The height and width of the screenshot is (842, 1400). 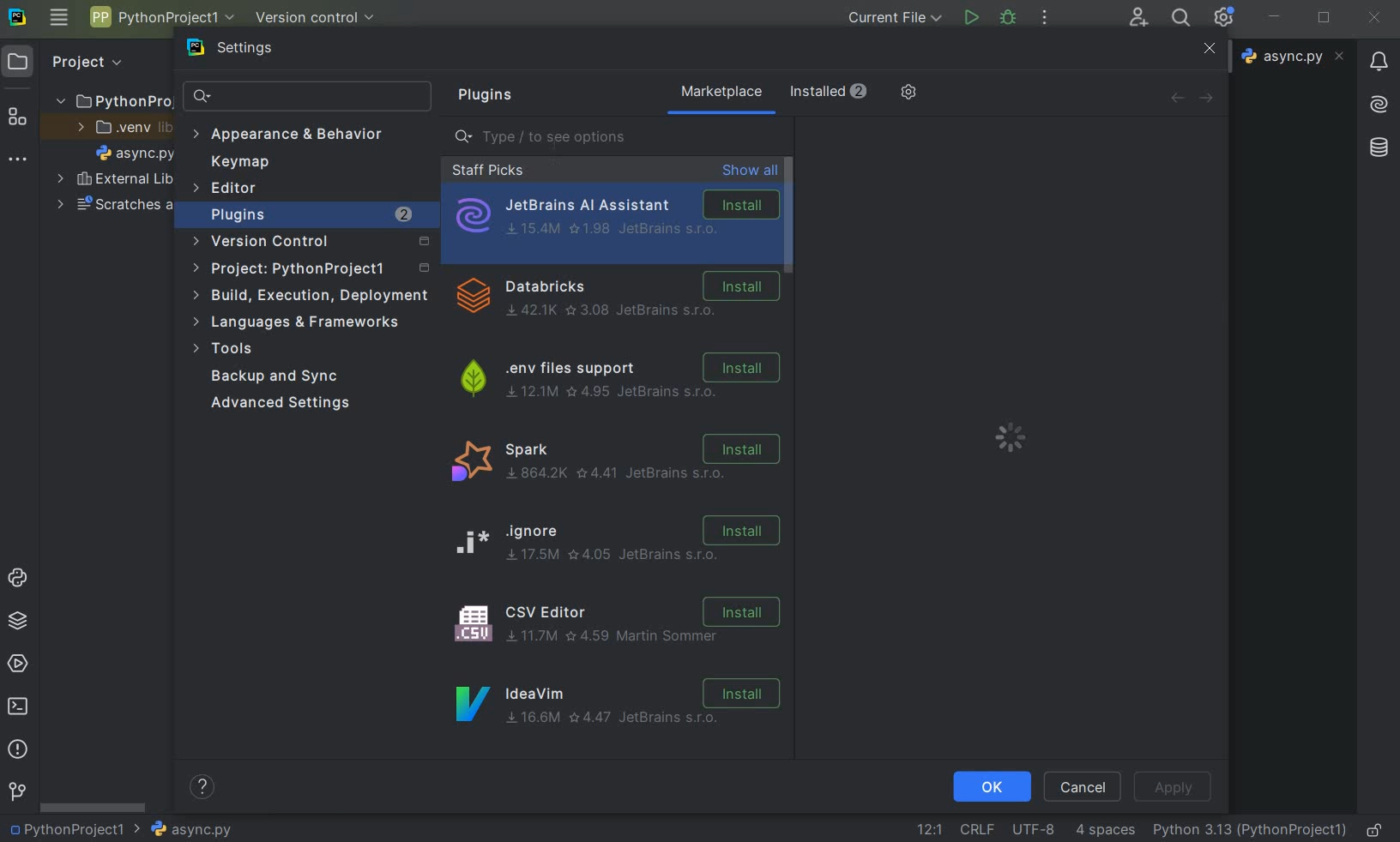 I want to click on languages & frameworks, so click(x=305, y=322).